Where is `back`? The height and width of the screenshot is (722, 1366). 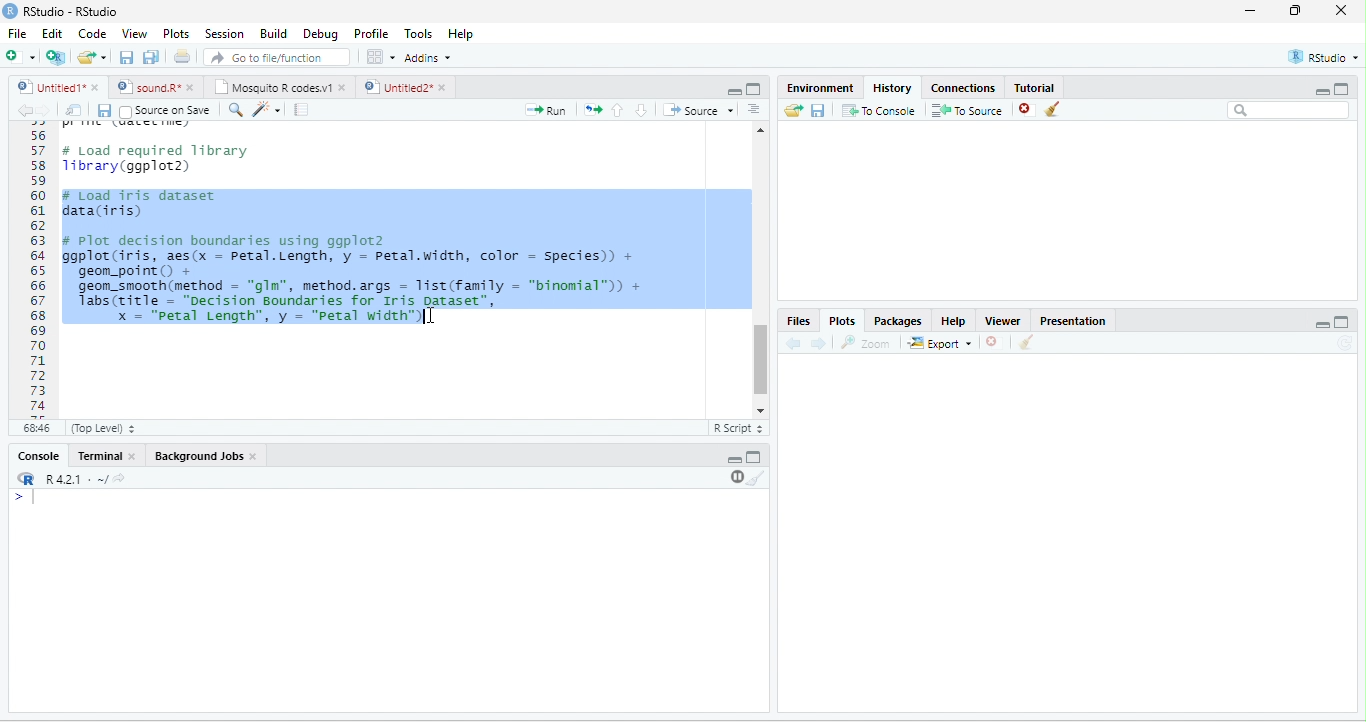
back is located at coordinates (25, 111).